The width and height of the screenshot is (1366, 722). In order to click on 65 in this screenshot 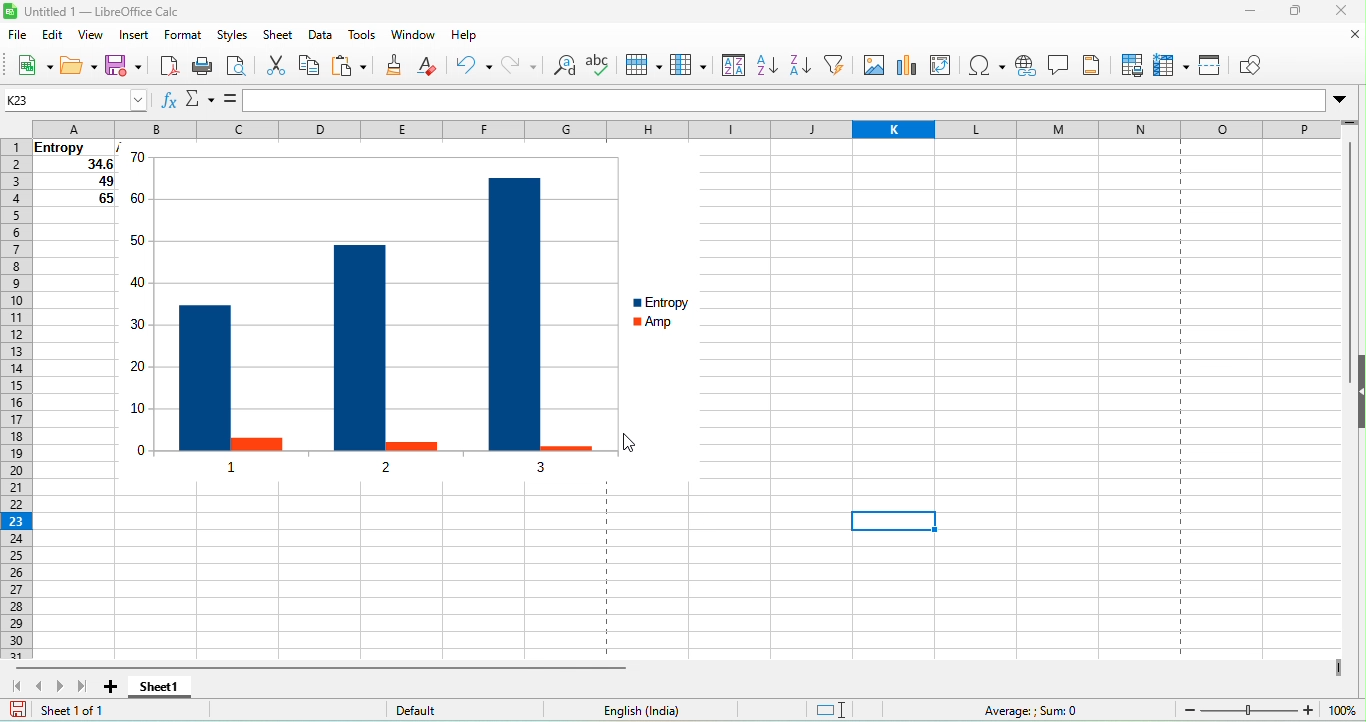, I will do `click(77, 200)`.